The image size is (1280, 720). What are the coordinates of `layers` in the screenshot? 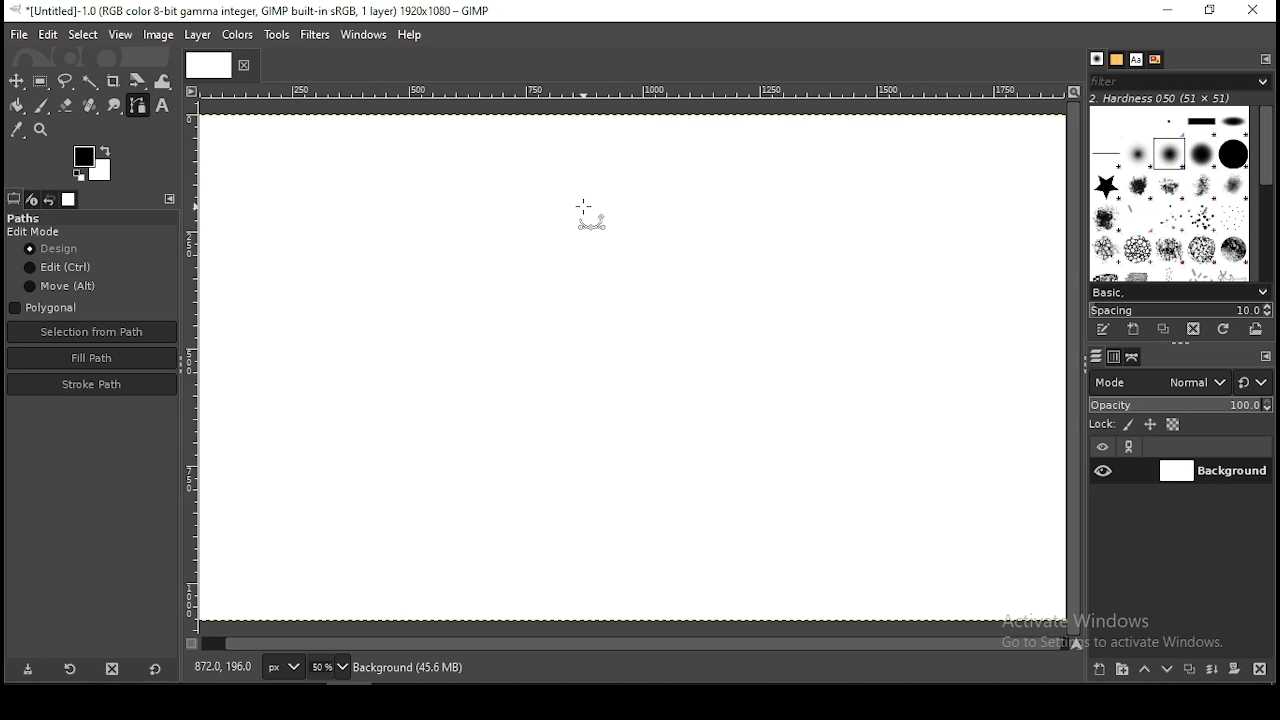 It's located at (1097, 356).